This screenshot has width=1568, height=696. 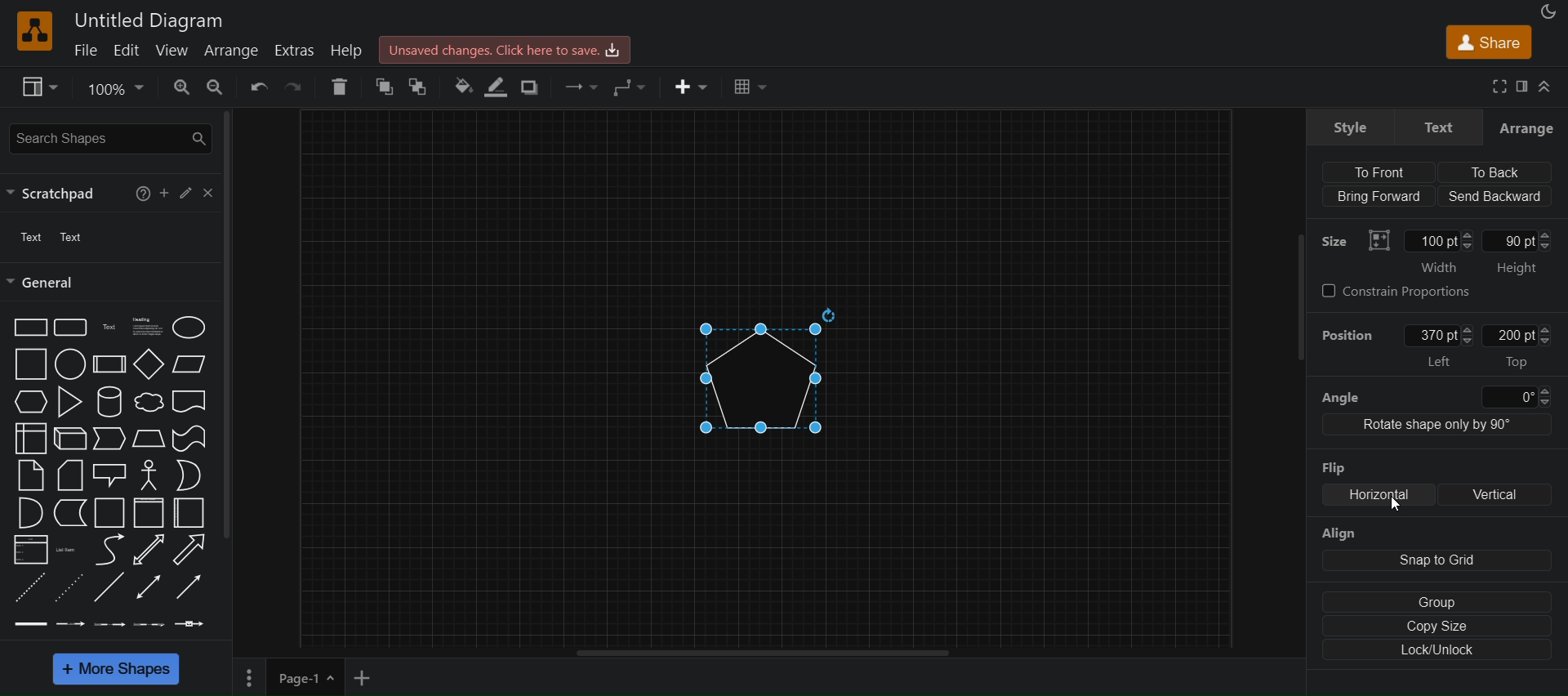 What do you see at coordinates (748, 85) in the screenshot?
I see `table` at bounding box center [748, 85].